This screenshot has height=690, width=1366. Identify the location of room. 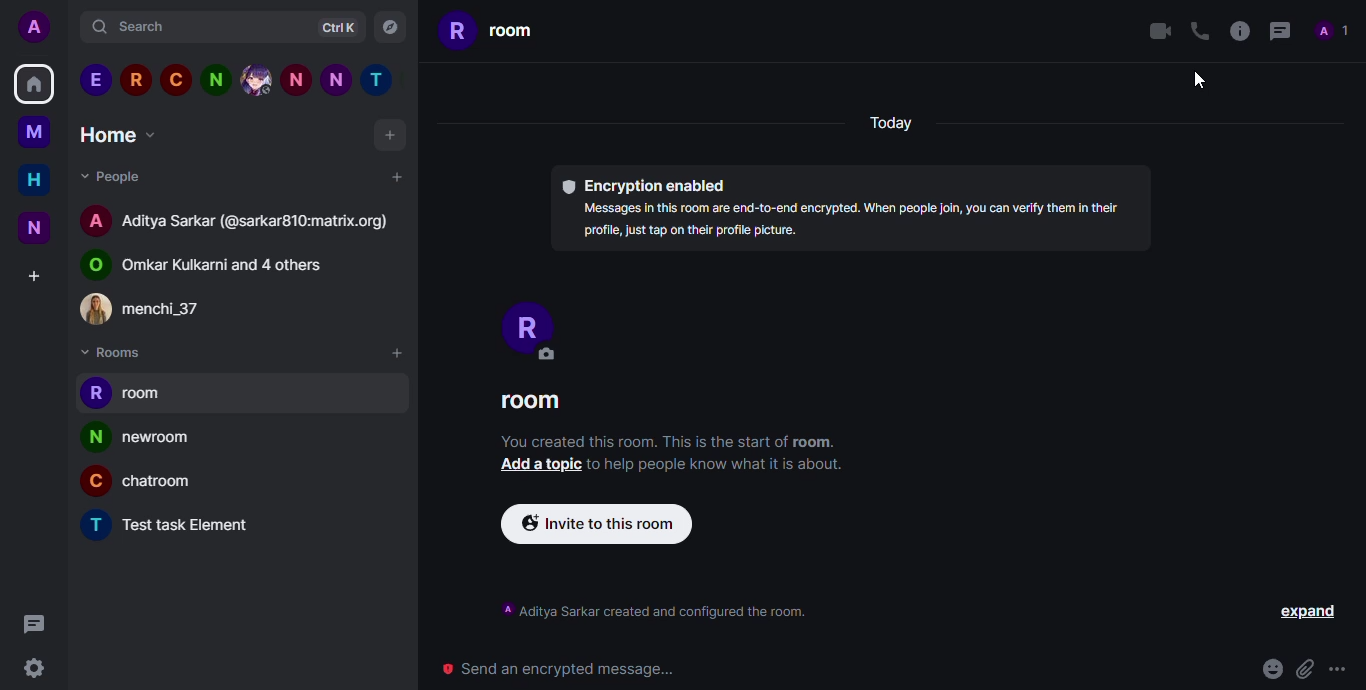
(150, 396).